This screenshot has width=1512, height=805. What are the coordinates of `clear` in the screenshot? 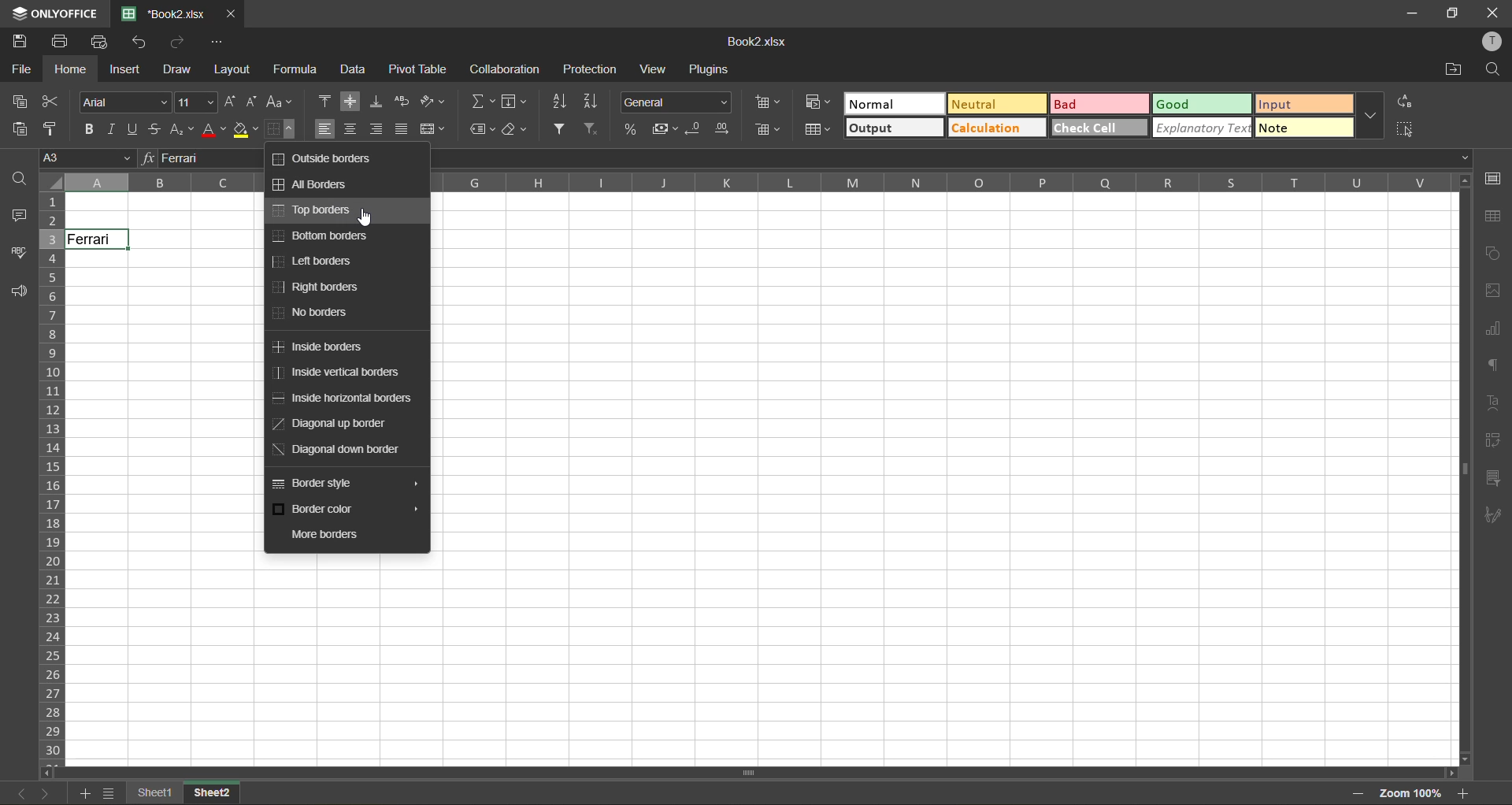 It's located at (515, 128).